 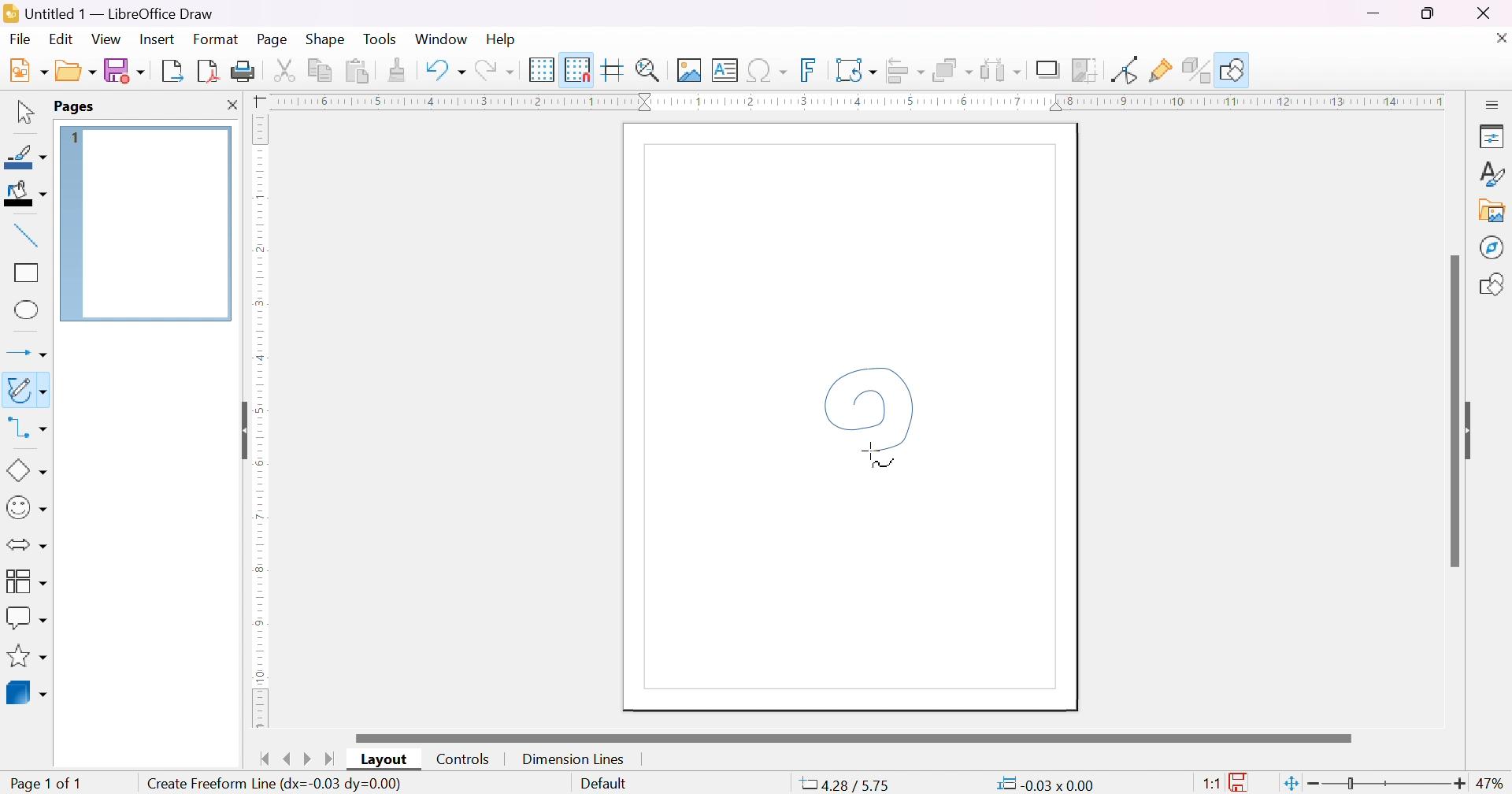 I want to click on slide, so click(x=1473, y=429).